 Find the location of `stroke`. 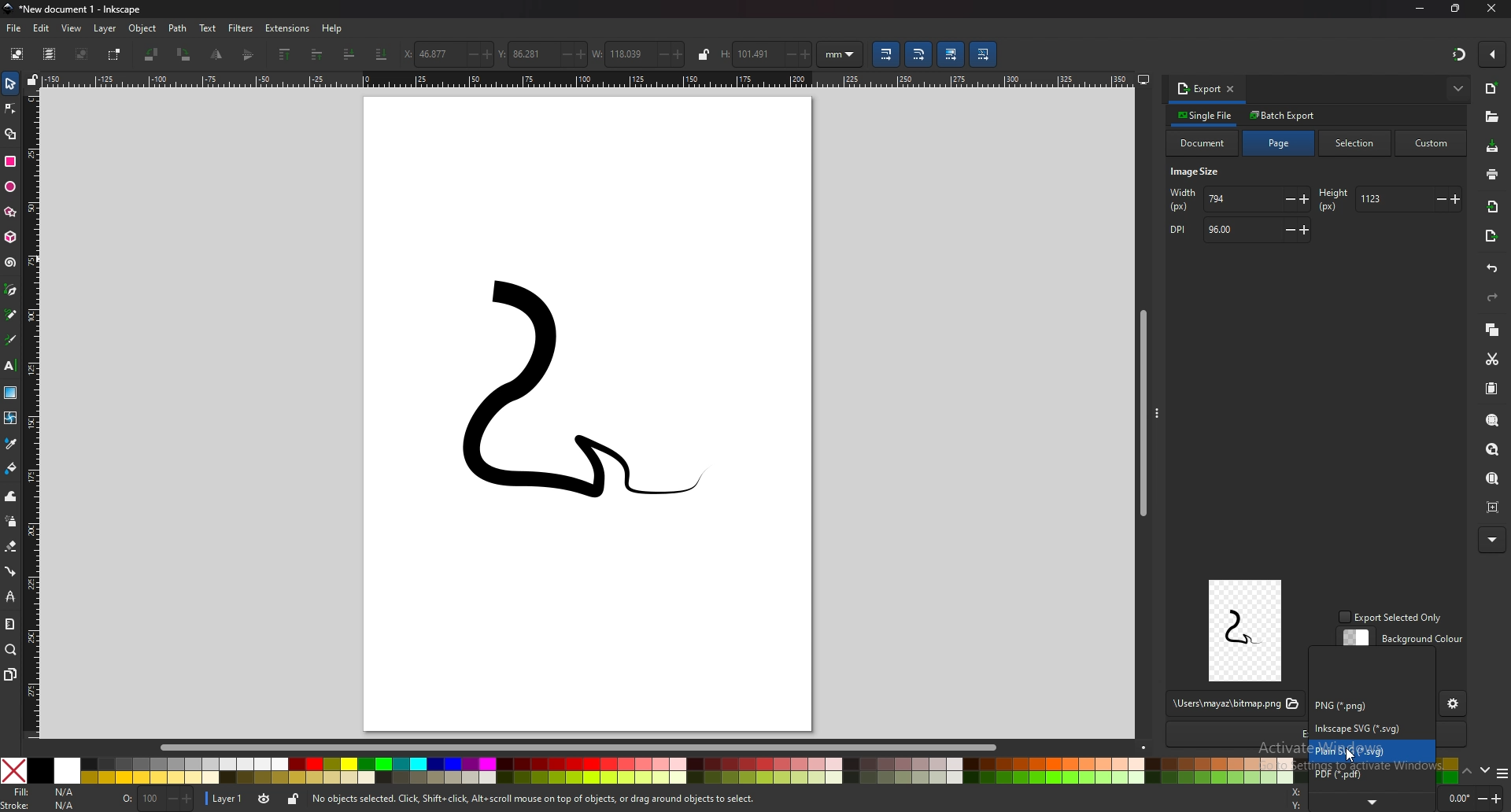

stroke is located at coordinates (40, 806).